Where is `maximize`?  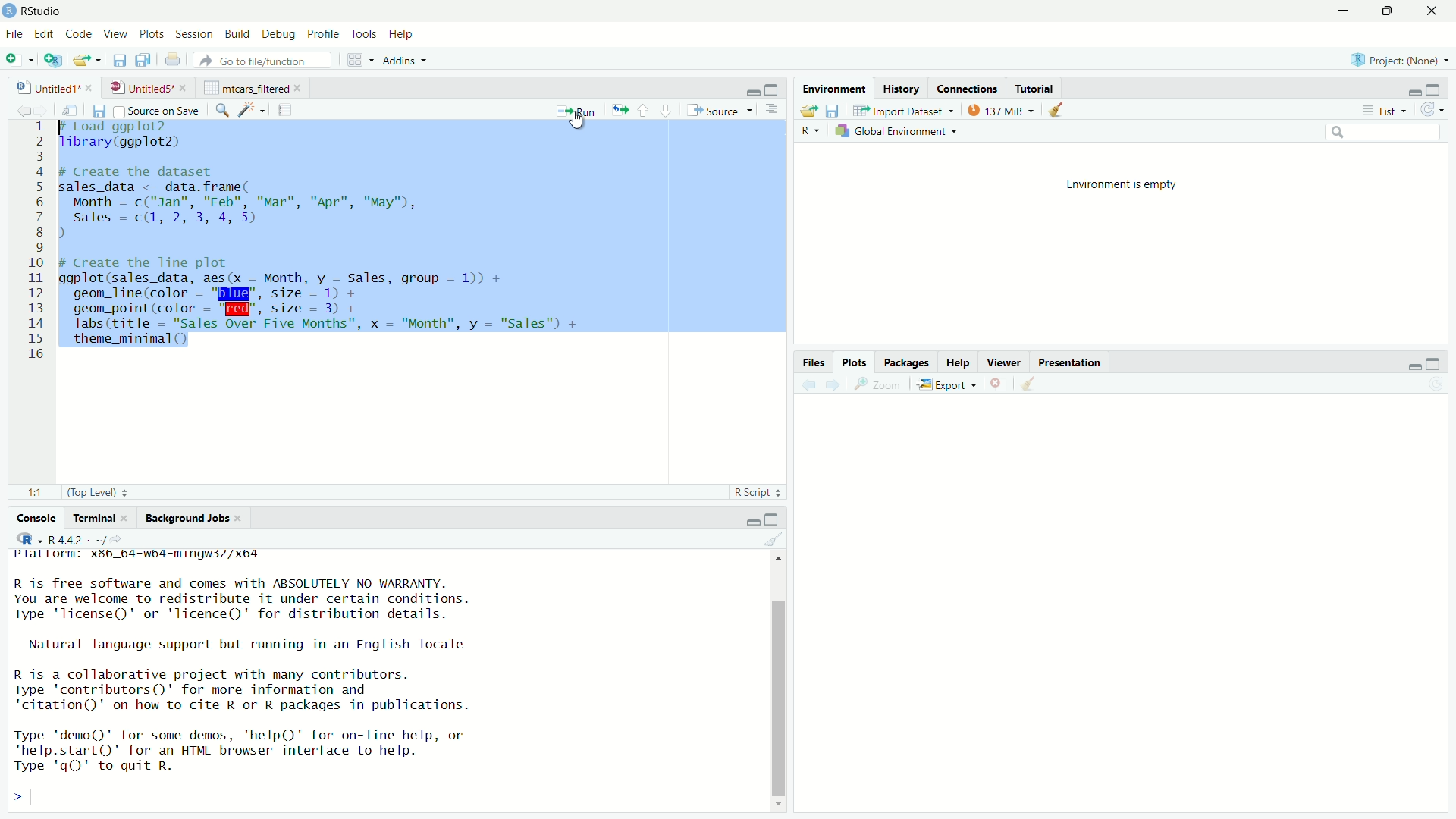
maximize is located at coordinates (1393, 11).